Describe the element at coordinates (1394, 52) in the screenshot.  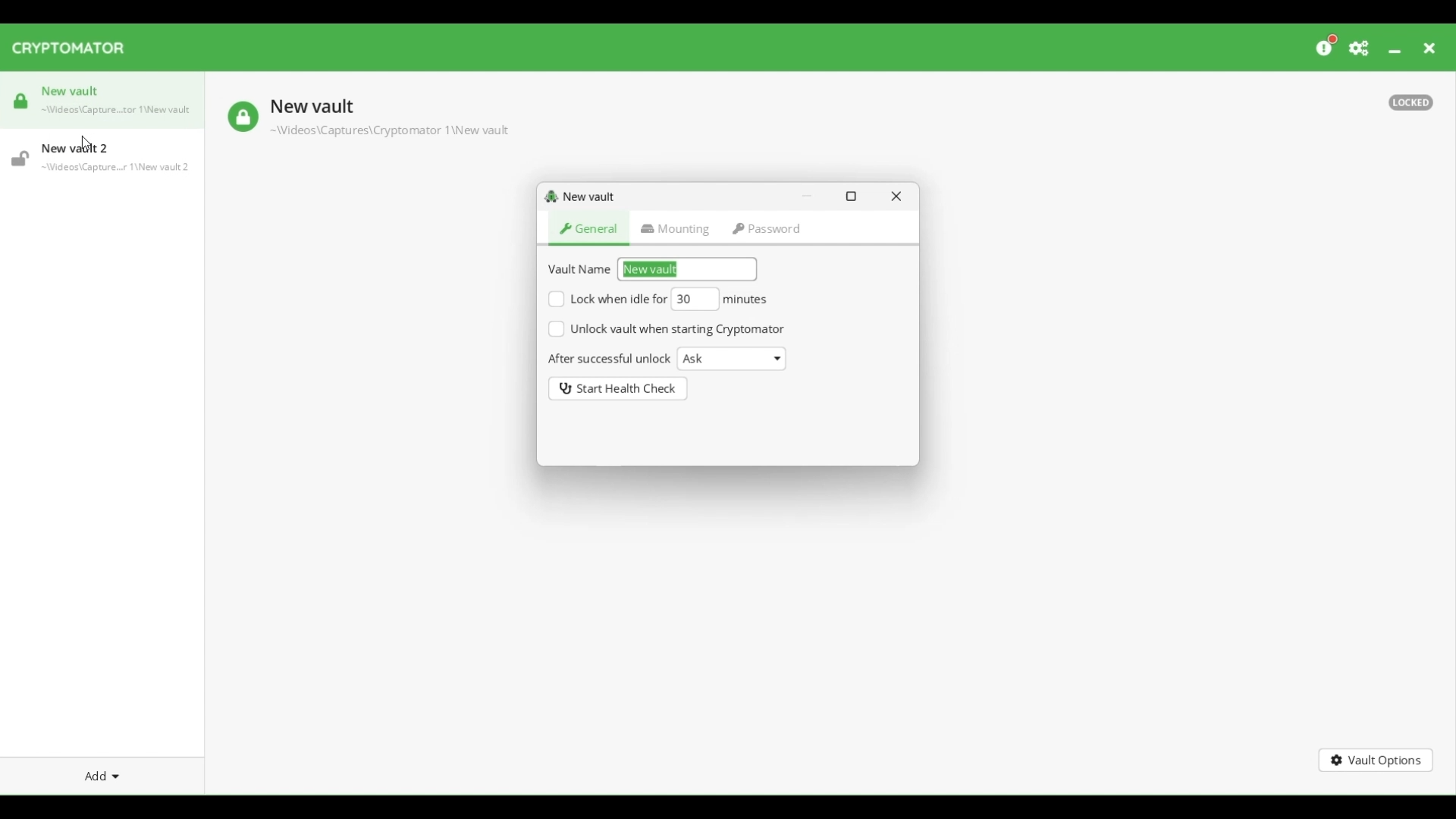
I see `Minimize` at that location.